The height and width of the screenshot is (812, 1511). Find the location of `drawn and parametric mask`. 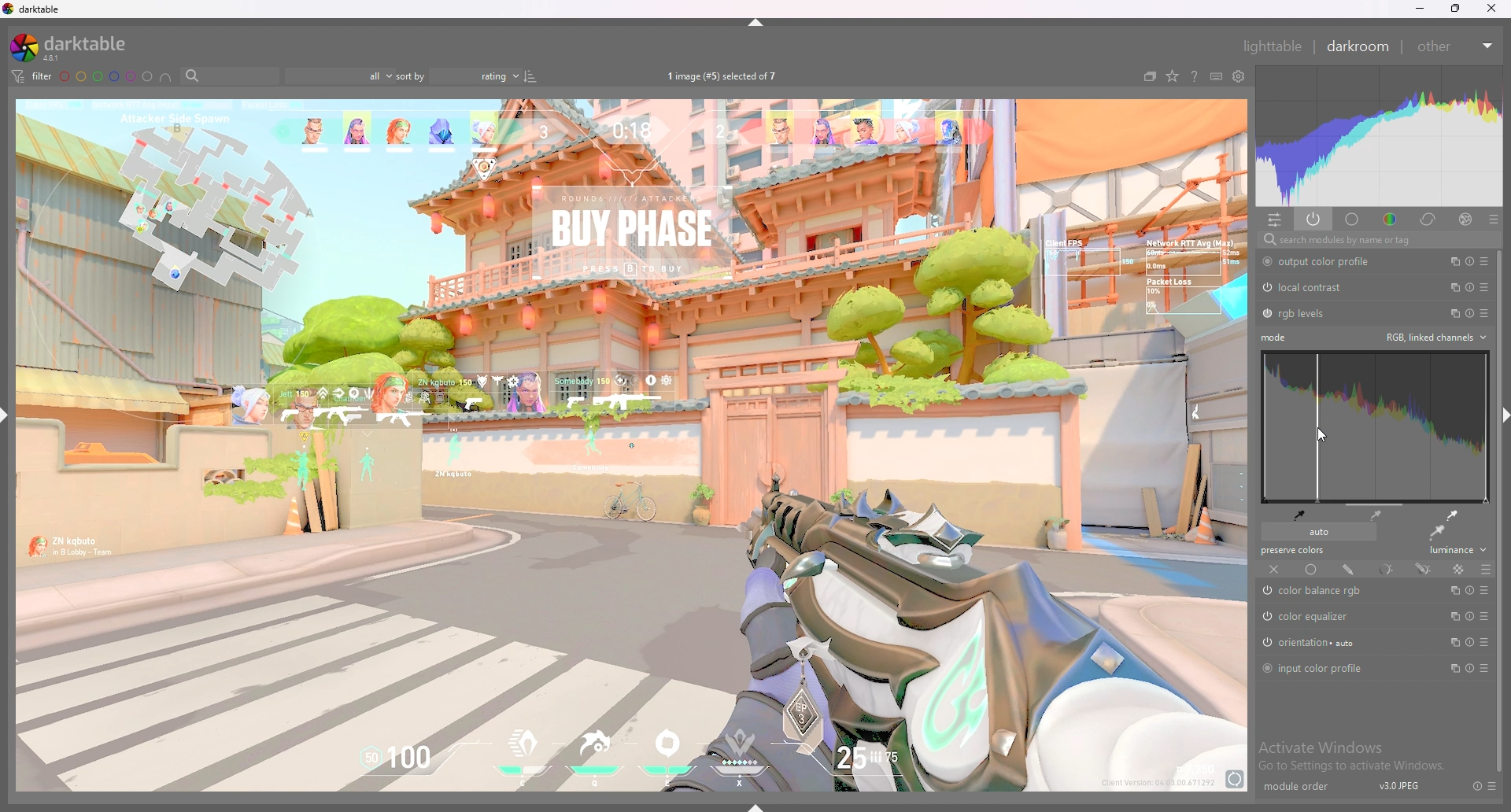

drawn and parametric mask is located at coordinates (1424, 568).